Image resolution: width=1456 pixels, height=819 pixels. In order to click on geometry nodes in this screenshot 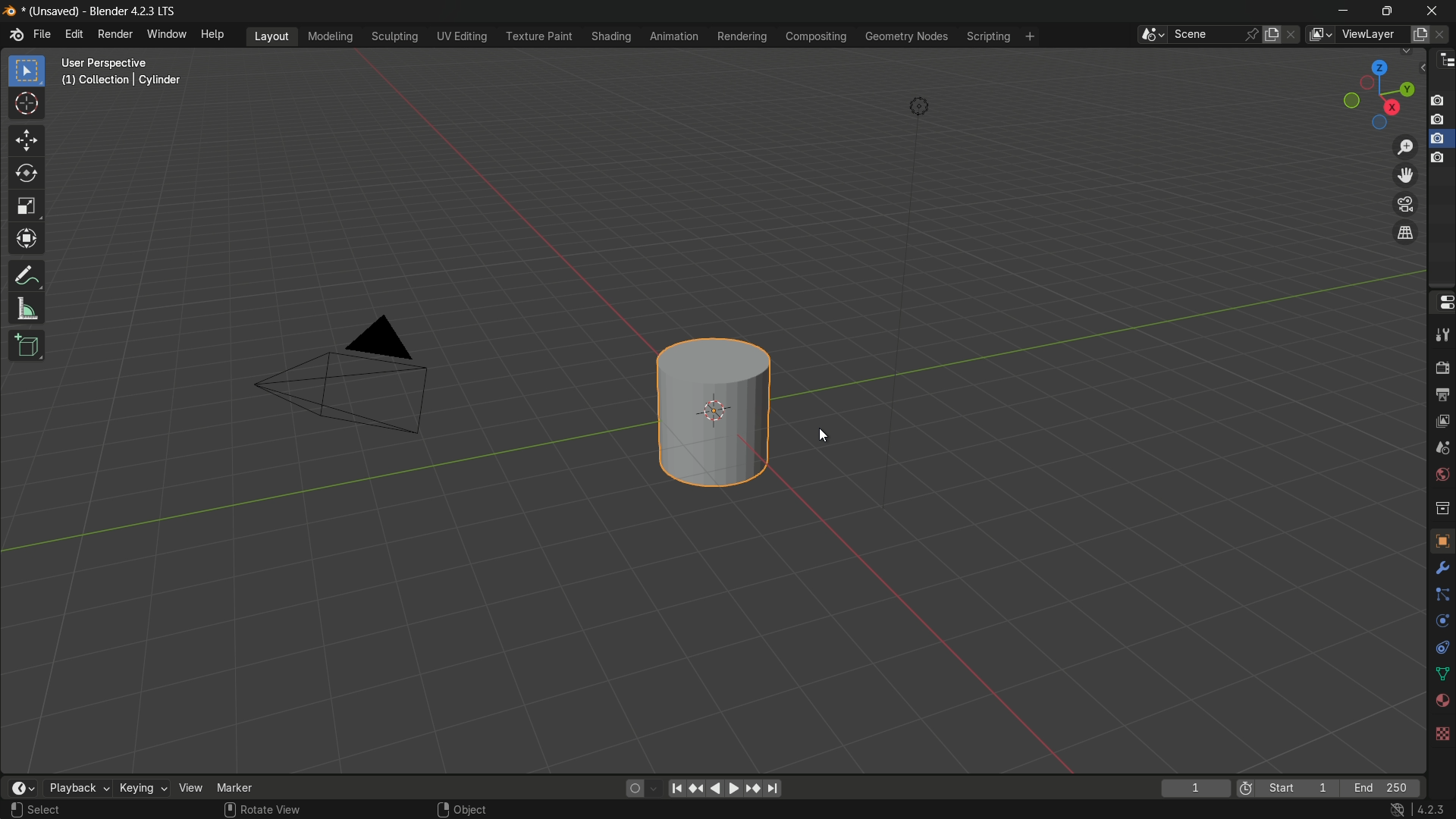, I will do `click(907, 37)`.